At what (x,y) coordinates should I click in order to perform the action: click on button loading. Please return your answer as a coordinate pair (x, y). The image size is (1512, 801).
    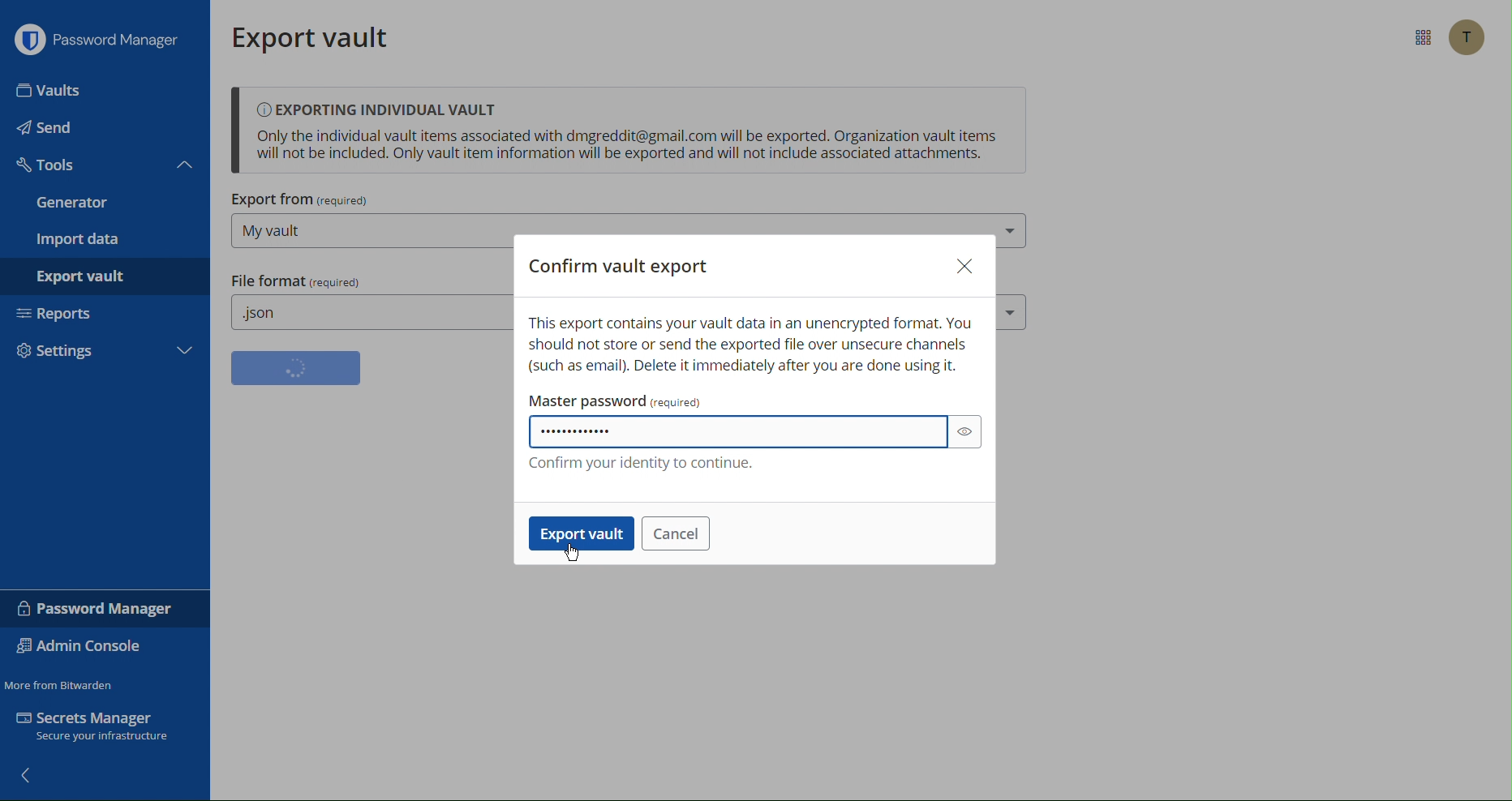
    Looking at the image, I should click on (296, 371).